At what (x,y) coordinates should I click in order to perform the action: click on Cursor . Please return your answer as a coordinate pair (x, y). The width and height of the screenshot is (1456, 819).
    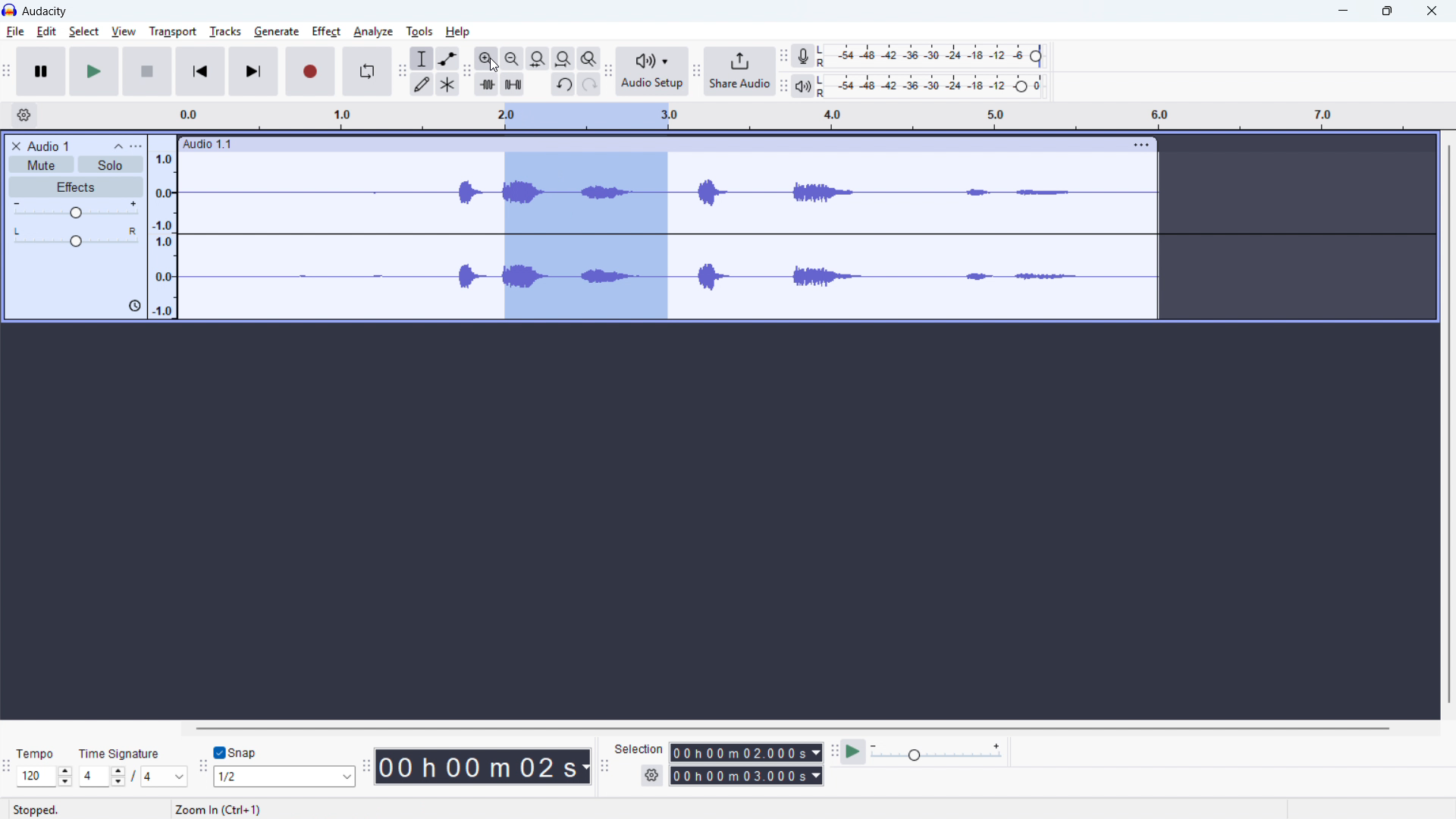
    Looking at the image, I should click on (494, 65).